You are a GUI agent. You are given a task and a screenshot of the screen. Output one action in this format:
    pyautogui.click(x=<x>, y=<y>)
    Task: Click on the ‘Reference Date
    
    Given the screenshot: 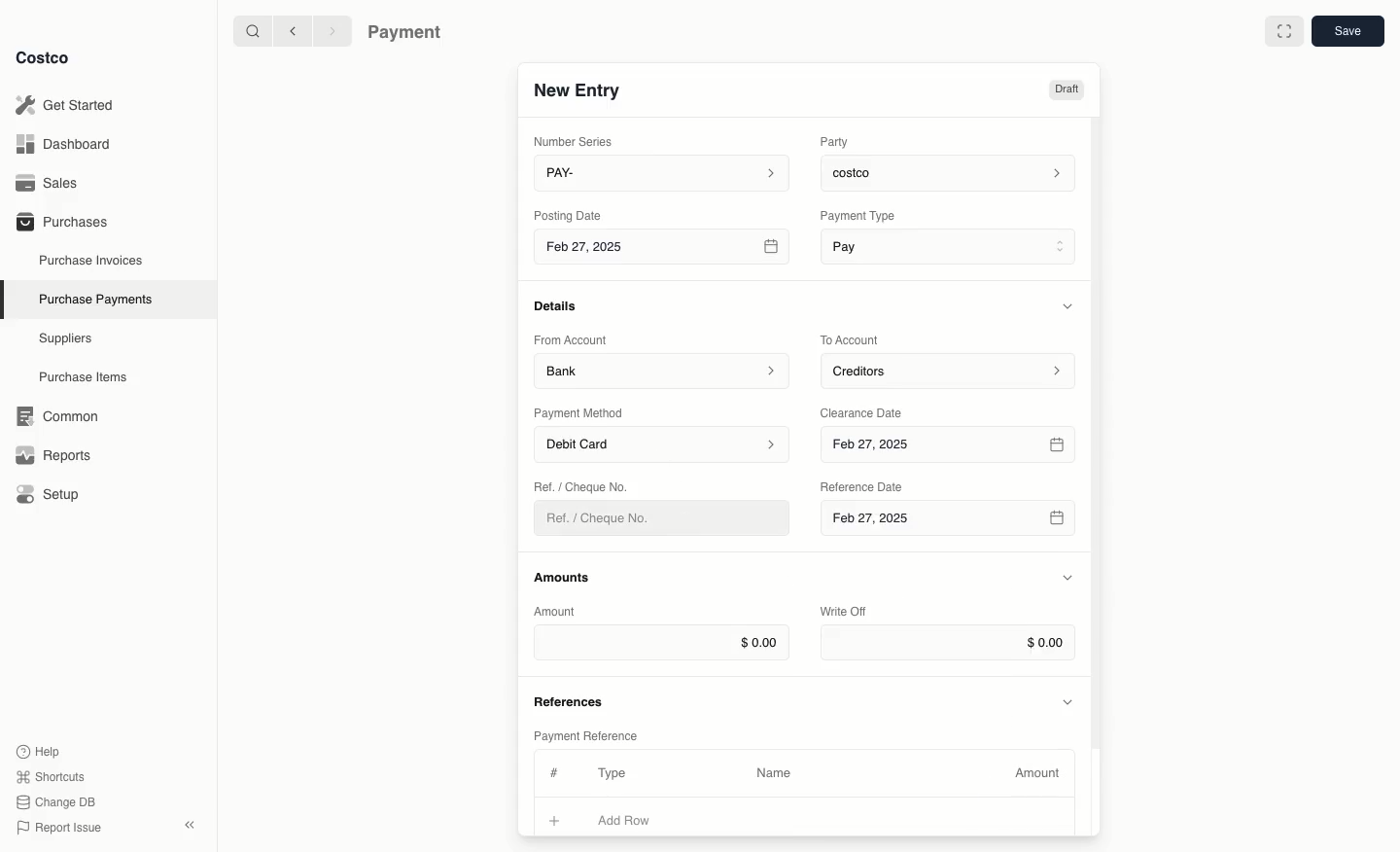 What is the action you would take?
    pyautogui.click(x=863, y=486)
    